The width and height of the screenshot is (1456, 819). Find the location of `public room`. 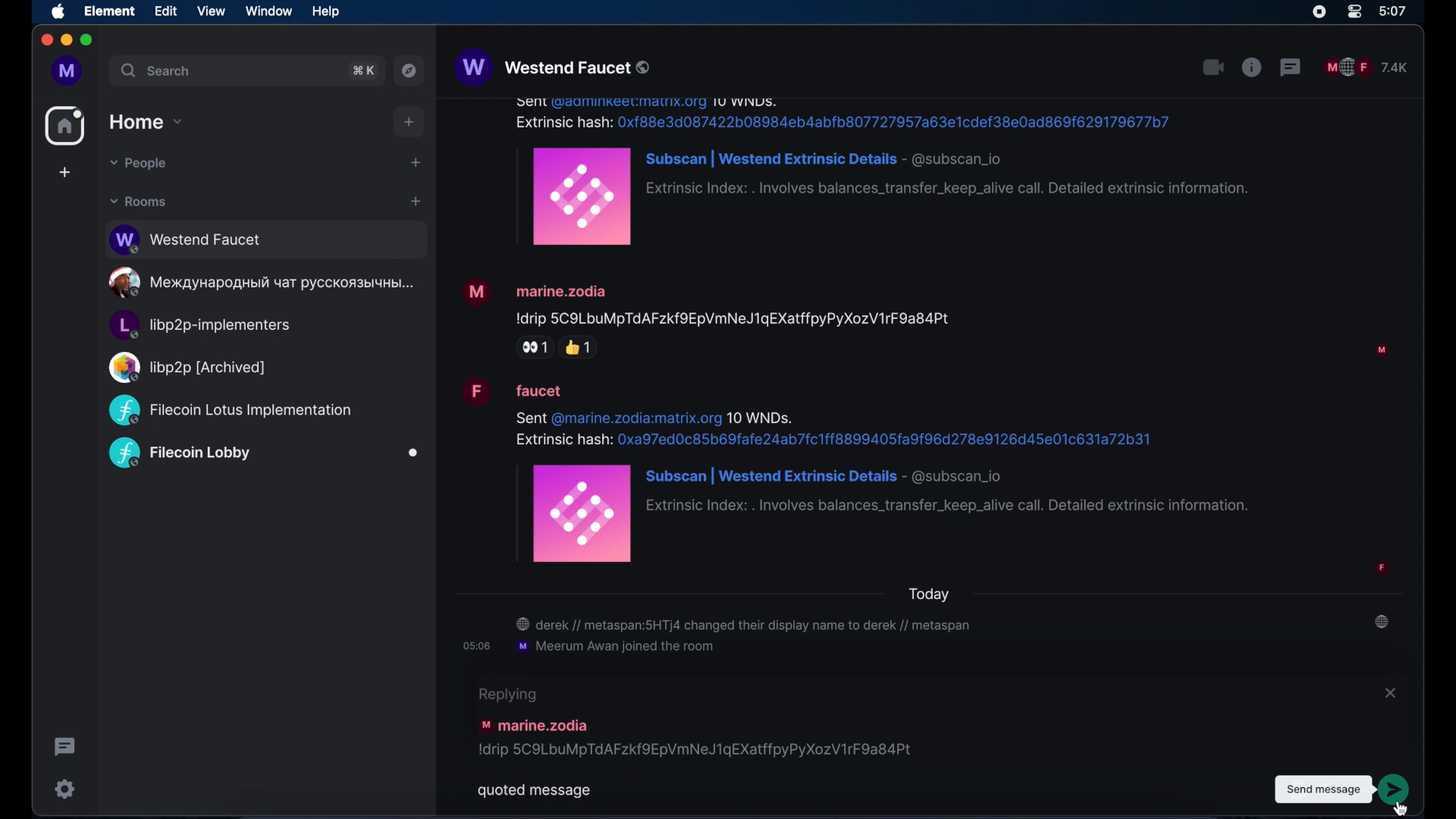

public room is located at coordinates (266, 240).